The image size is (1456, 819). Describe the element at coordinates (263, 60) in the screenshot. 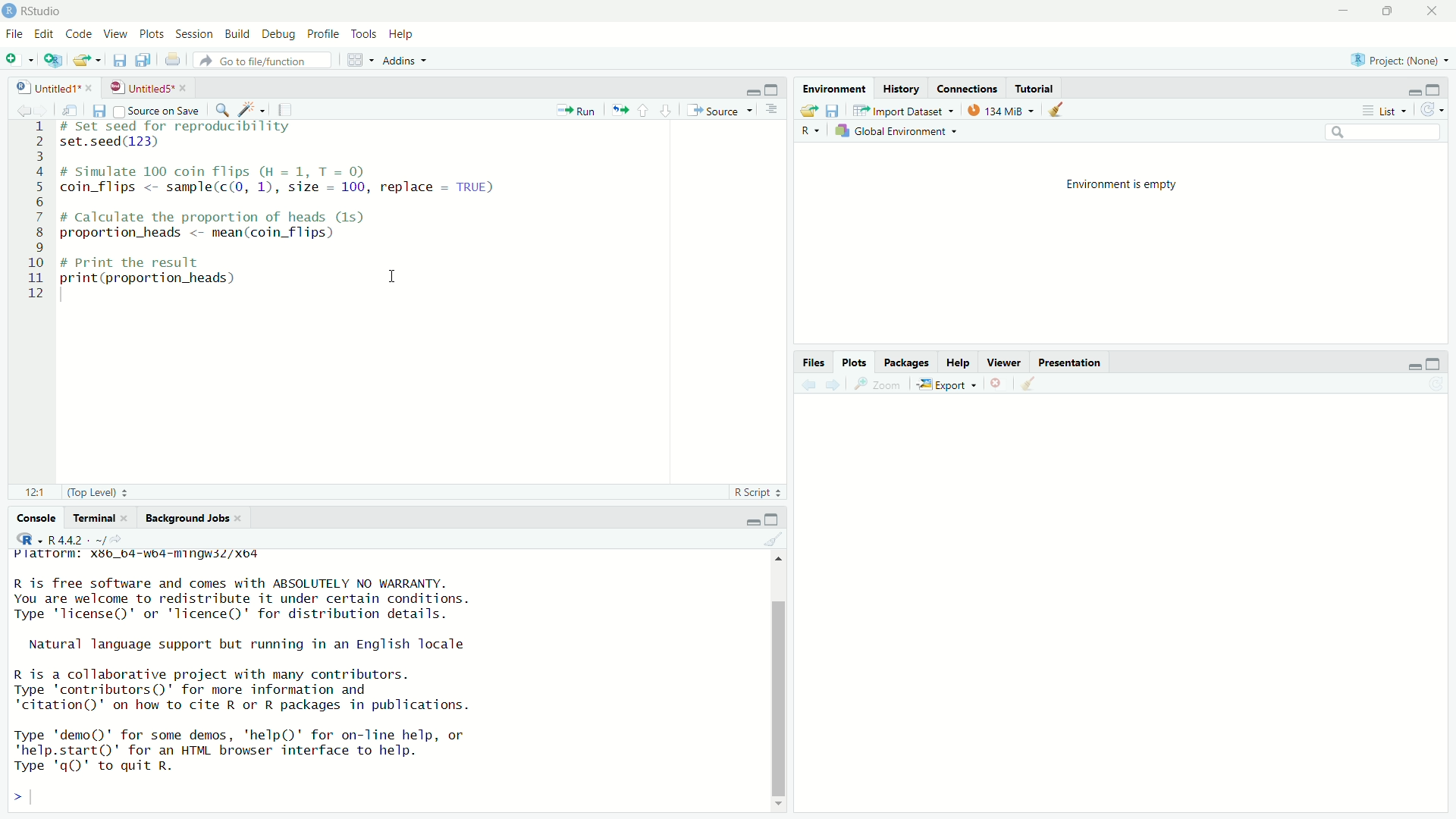

I see `go to file/function` at that location.